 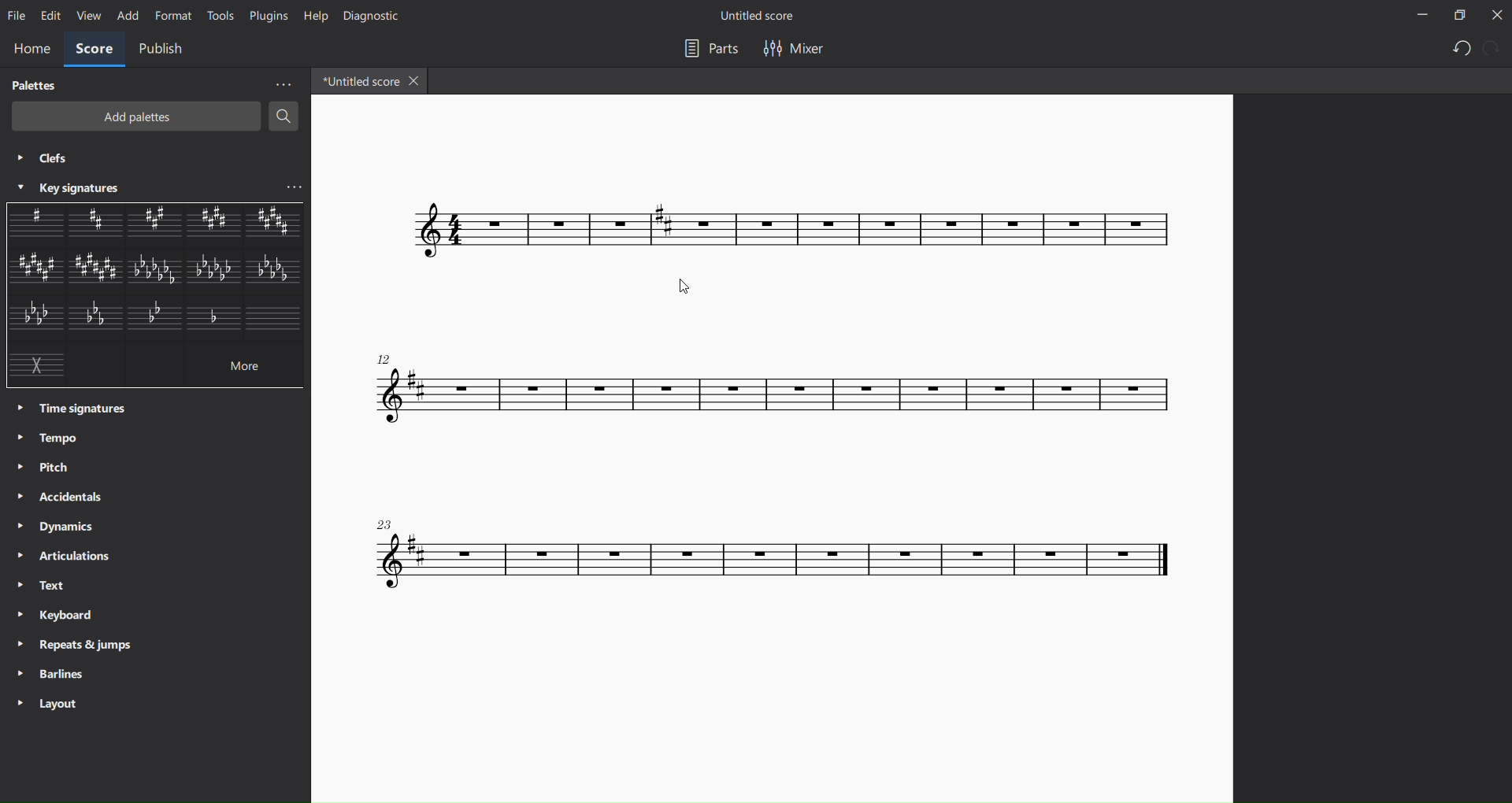 What do you see at coordinates (163, 50) in the screenshot?
I see `publish` at bounding box center [163, 50].